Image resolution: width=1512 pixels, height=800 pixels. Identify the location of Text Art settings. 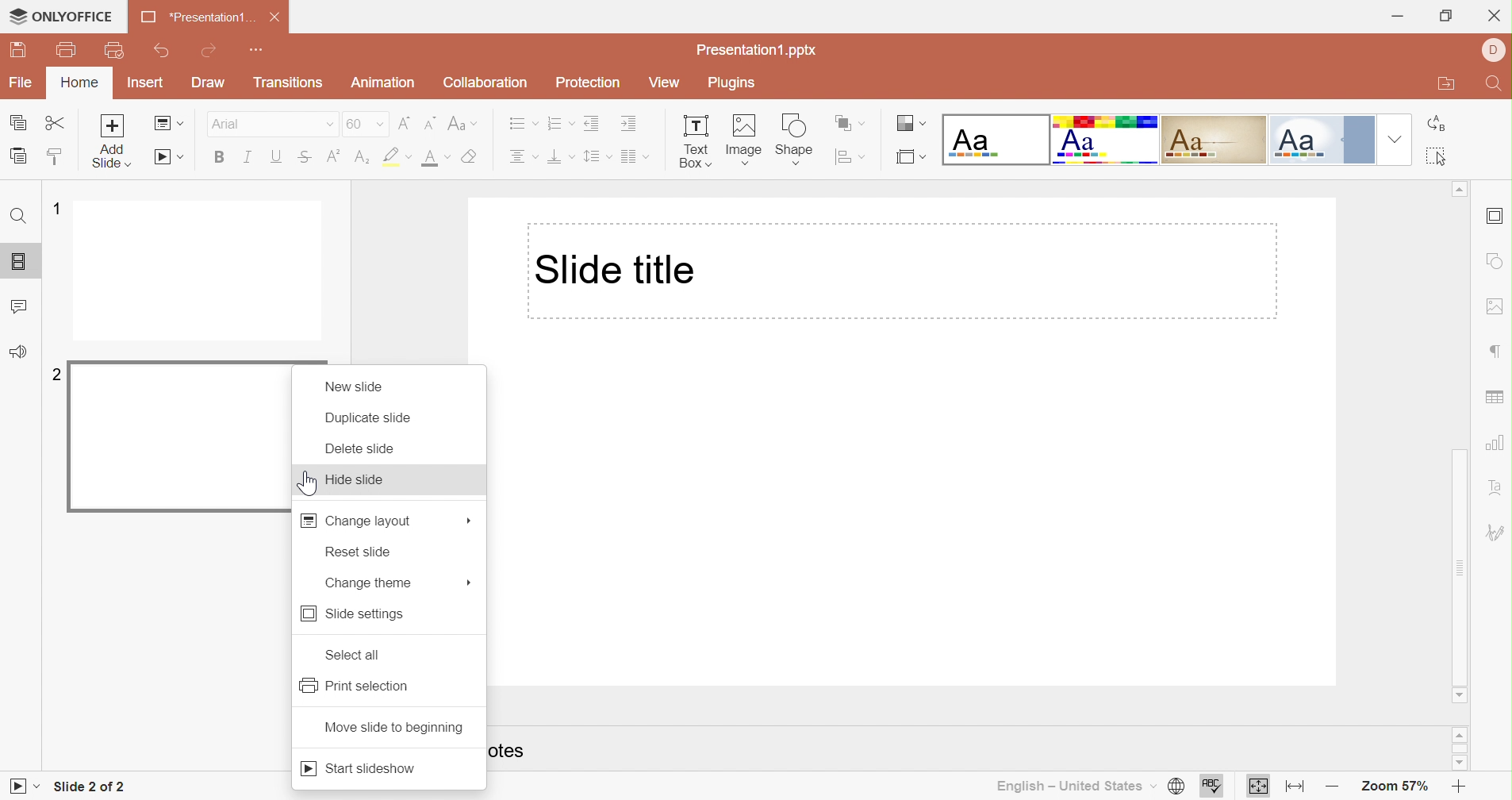
(1496, 487).